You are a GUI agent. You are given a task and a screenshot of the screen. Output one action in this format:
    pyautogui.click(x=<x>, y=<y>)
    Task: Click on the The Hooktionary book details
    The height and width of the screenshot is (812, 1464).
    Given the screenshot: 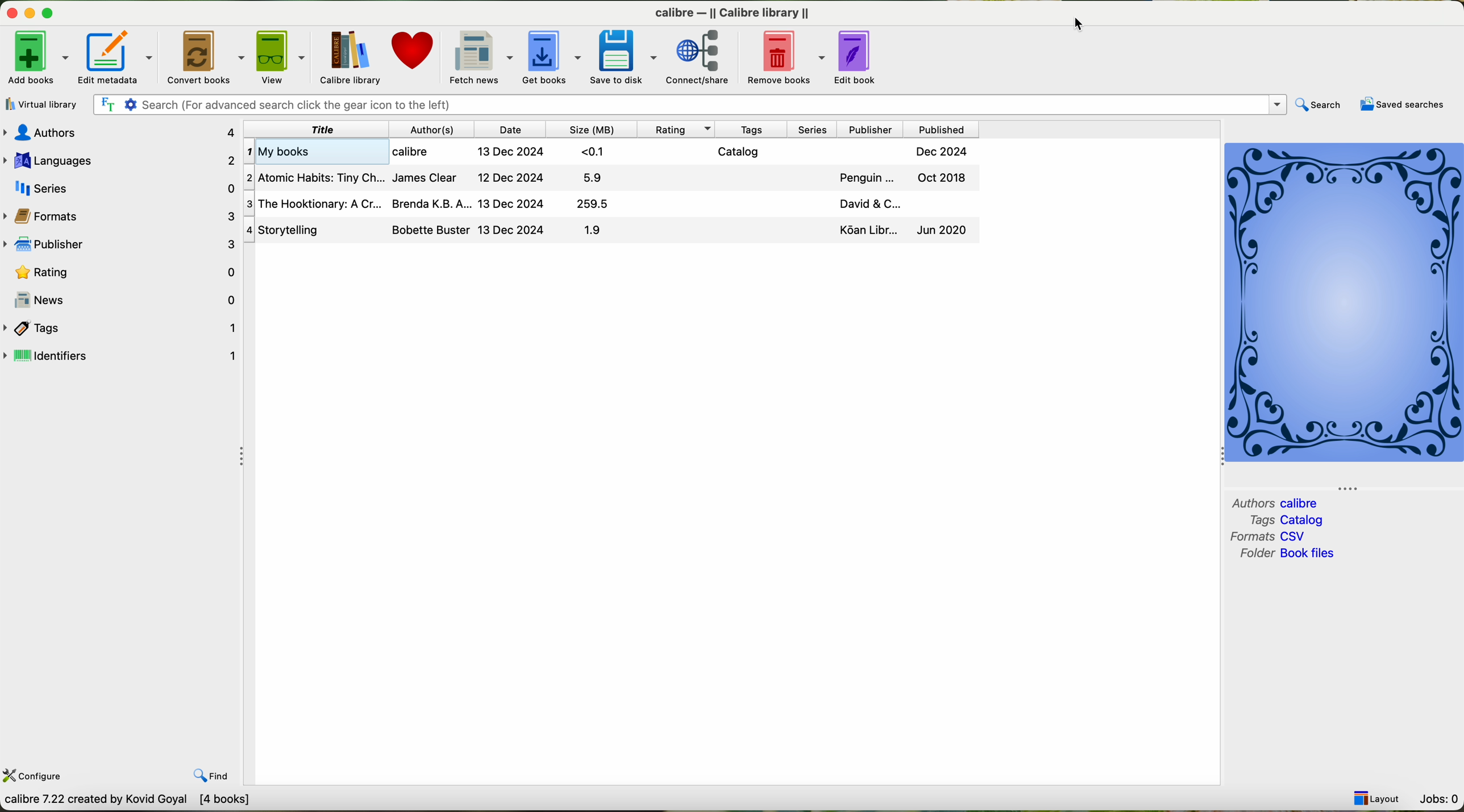 What is the action you would take?
    pyautogui.click(x=609, y=202)
    